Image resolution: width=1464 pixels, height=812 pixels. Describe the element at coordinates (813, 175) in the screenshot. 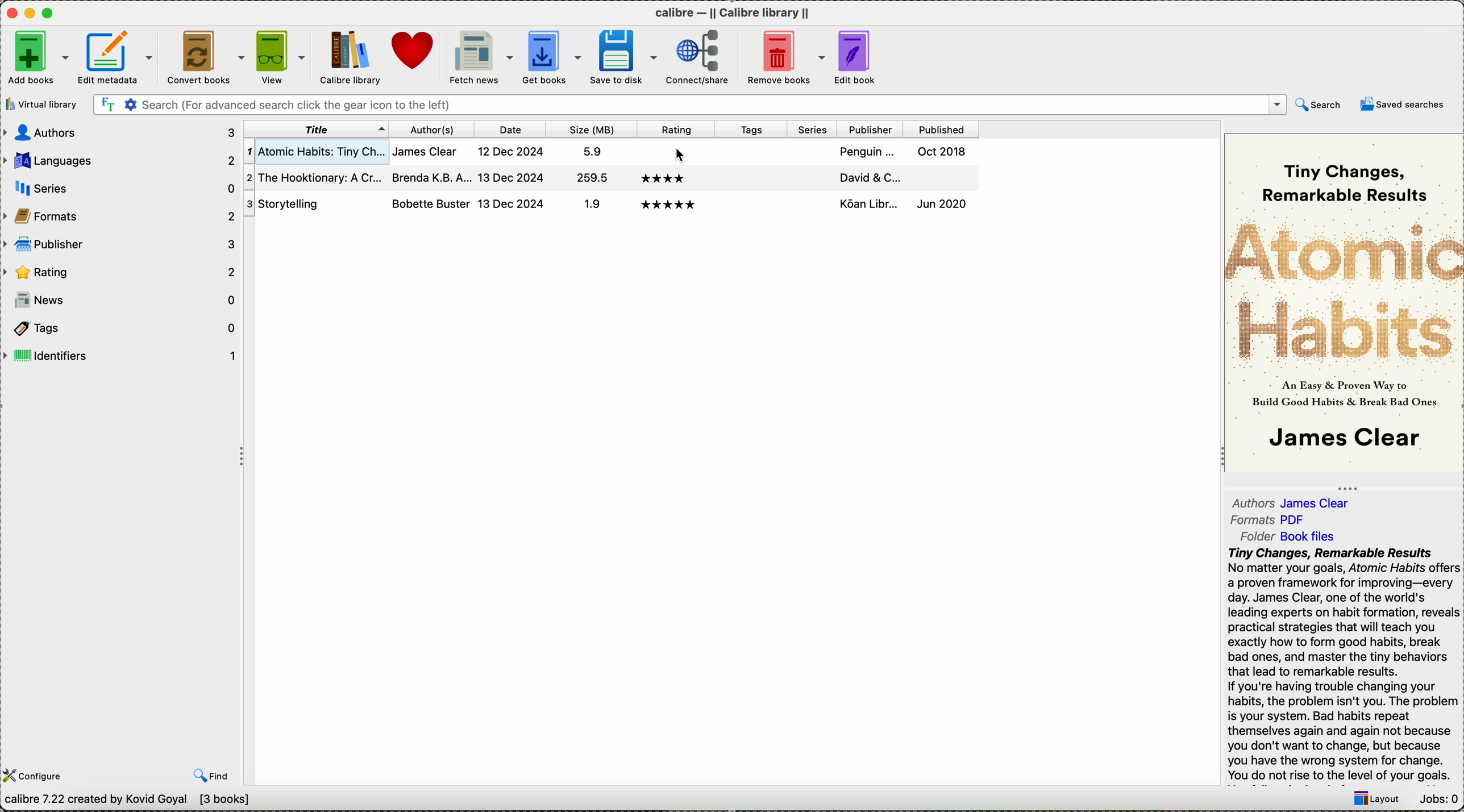

I see `series` at that location.